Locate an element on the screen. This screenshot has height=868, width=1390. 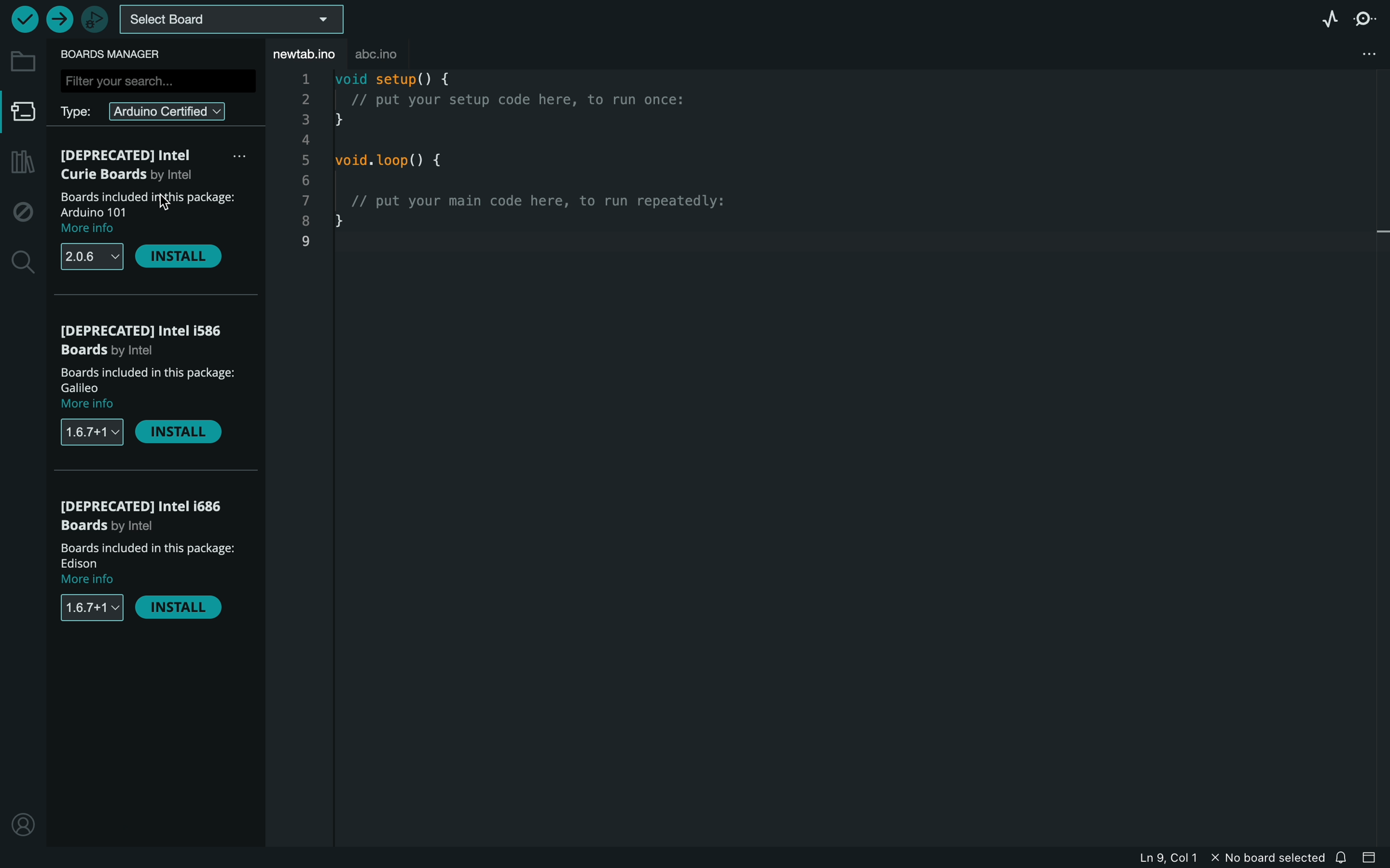
description is located at coordinates (149, 214).